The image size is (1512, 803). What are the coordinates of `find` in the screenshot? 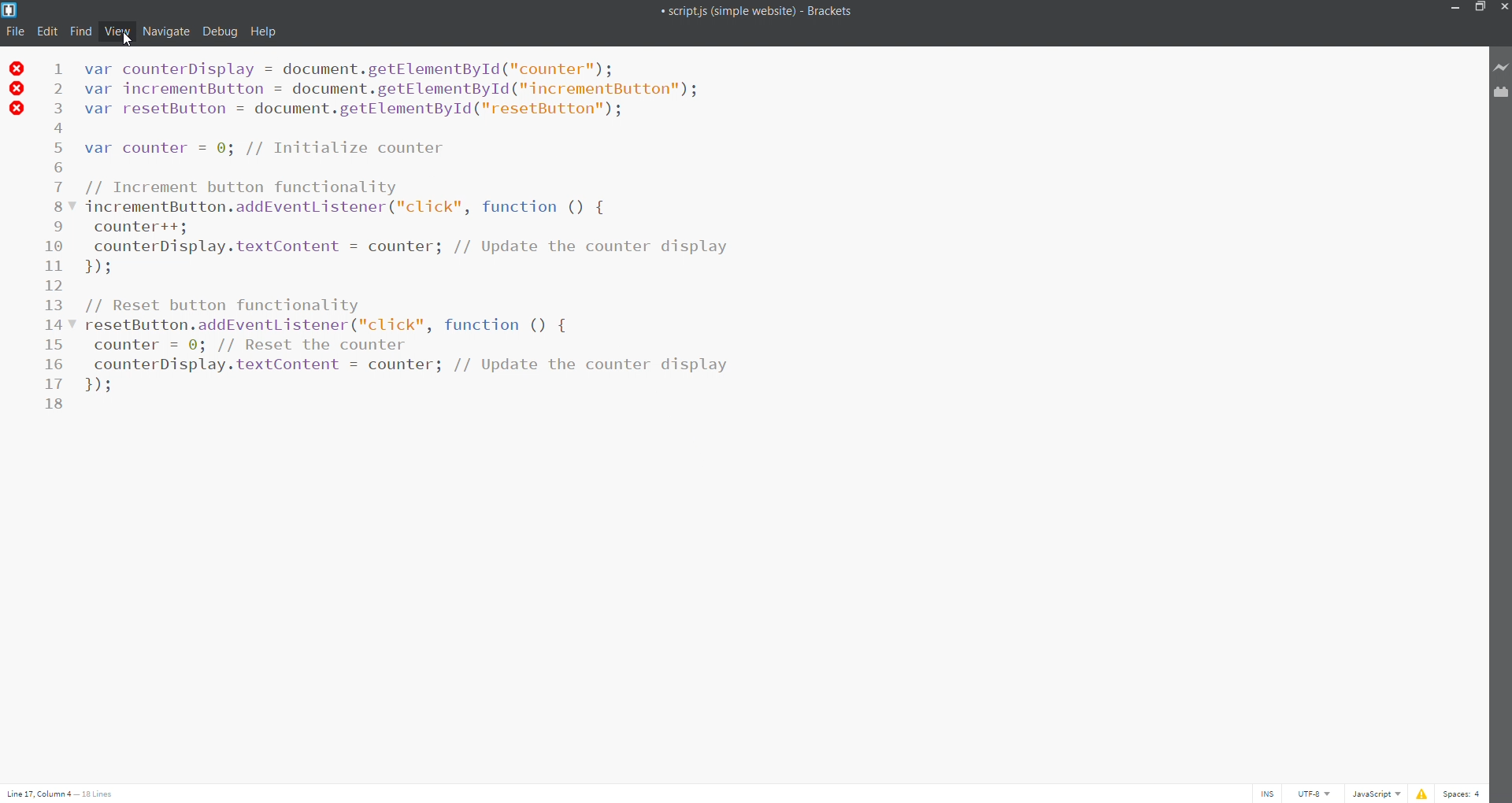 It's located at (82, 31).